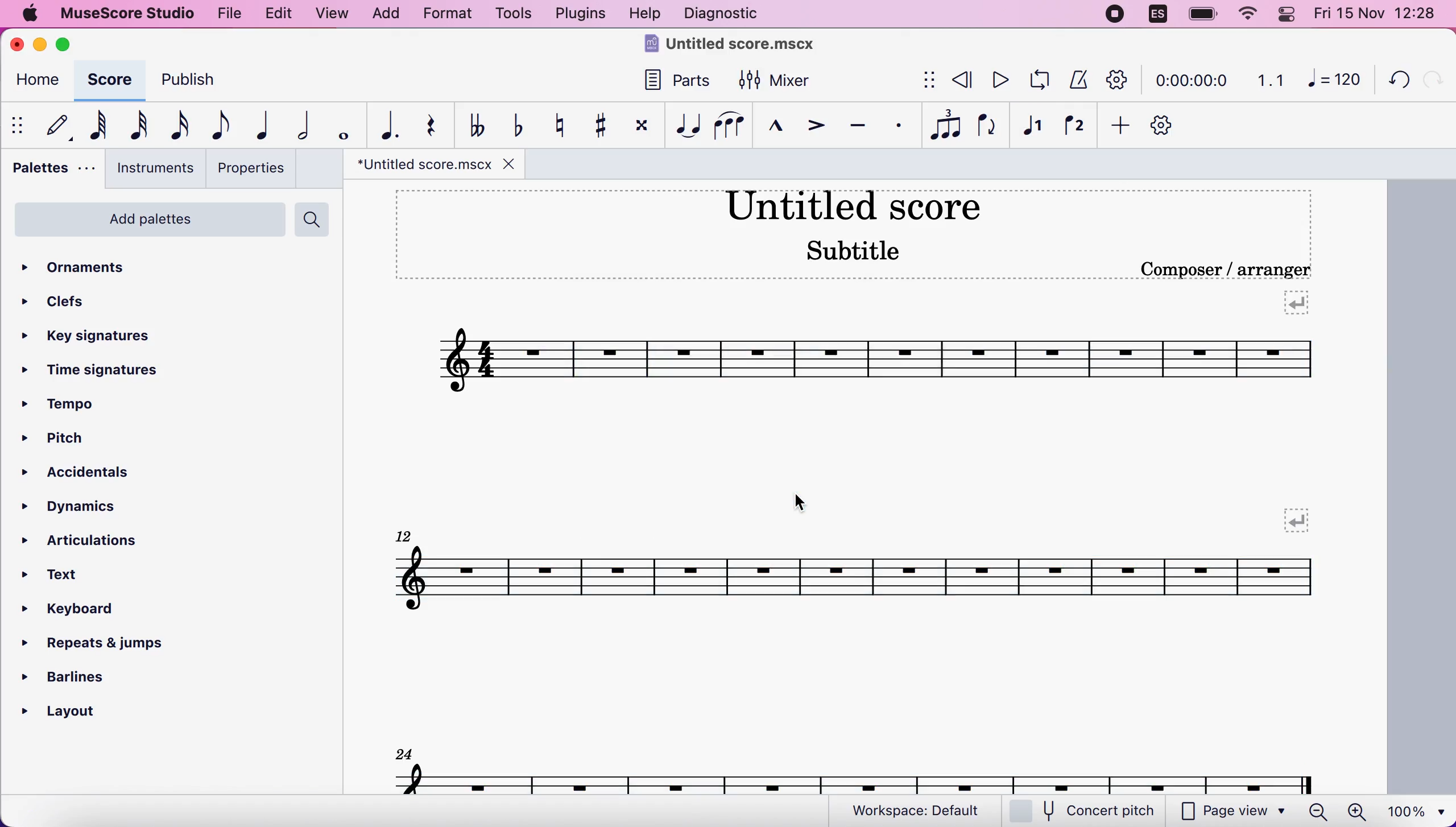 The image size is (1456, 827). What do you see at coordinates (875, 361) in the screenshot?
I see `score` at bounding box center [875, 361].